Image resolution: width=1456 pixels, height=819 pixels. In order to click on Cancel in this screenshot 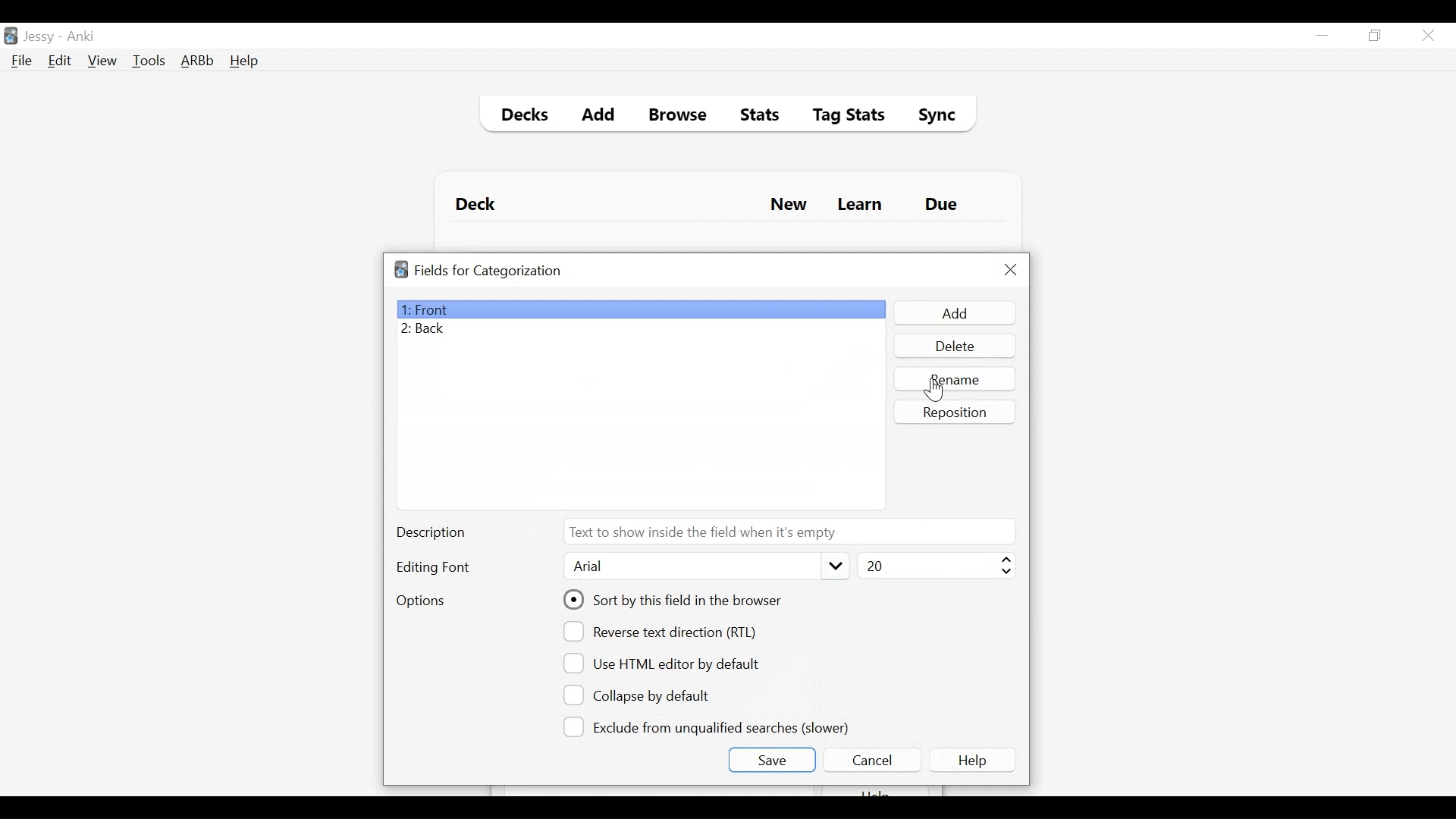, I will do `click(871, 760)`.